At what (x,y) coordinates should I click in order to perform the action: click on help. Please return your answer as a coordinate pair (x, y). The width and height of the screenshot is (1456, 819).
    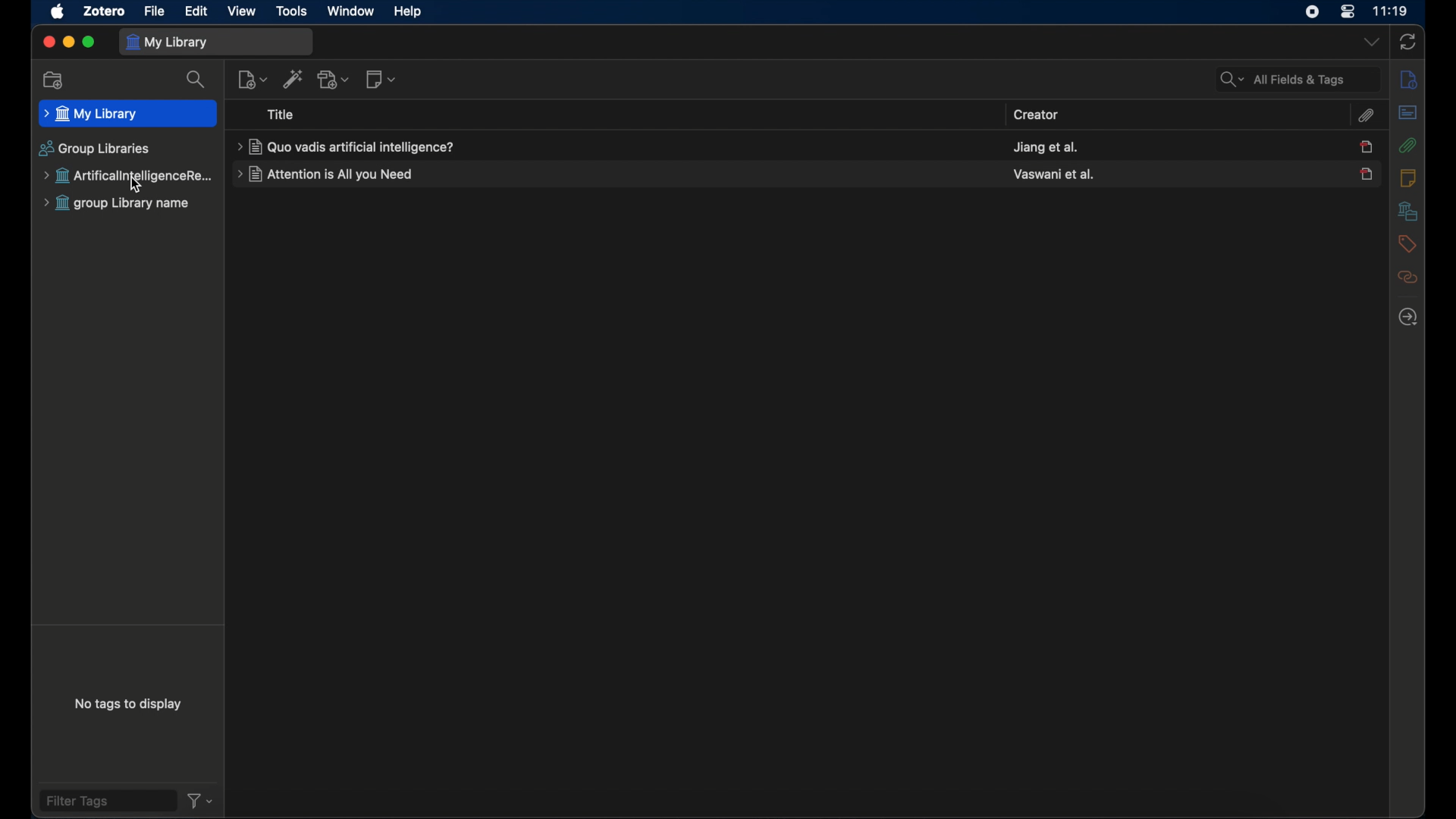
    Looking at the image, I should click on (407, 13).